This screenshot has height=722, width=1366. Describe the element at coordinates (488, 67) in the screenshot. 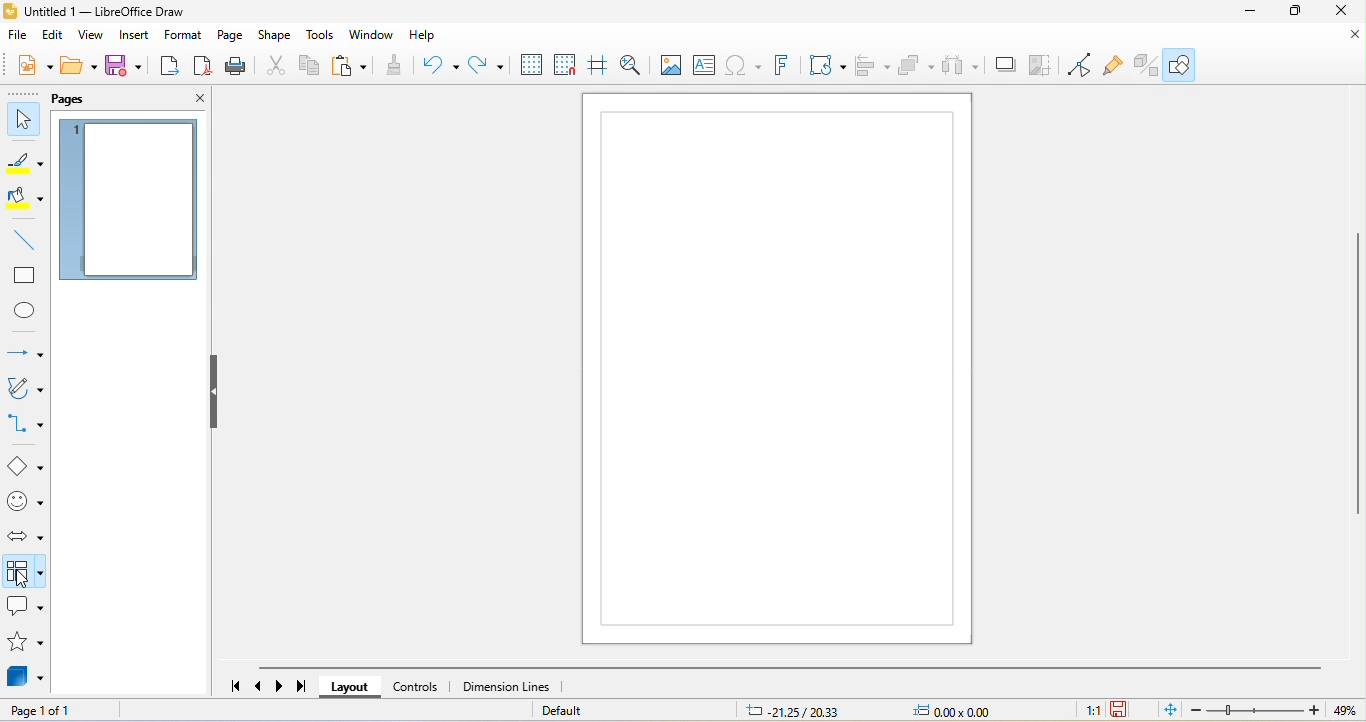

I see `redo` at that location.